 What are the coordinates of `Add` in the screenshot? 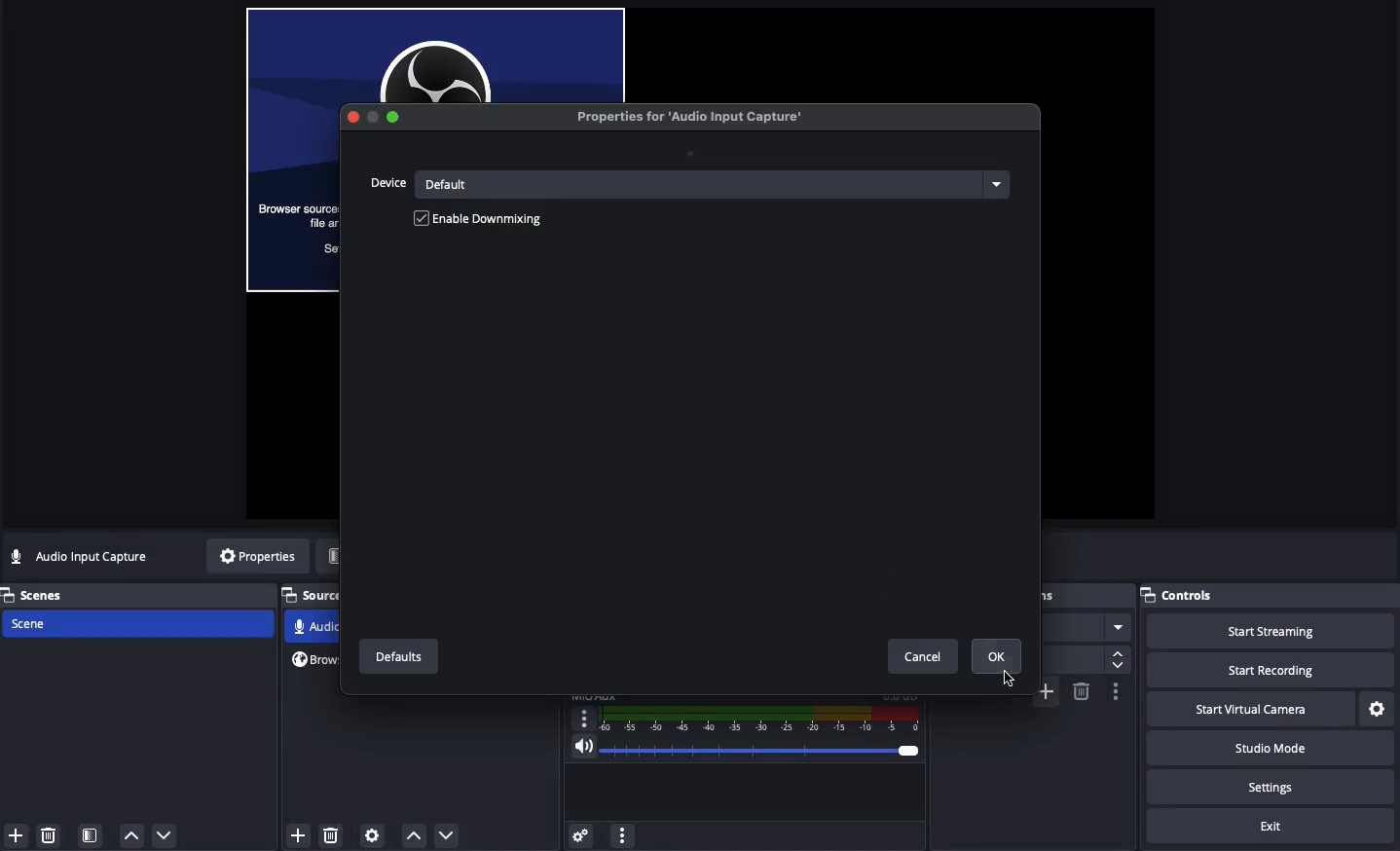 It's located at (16, 835).